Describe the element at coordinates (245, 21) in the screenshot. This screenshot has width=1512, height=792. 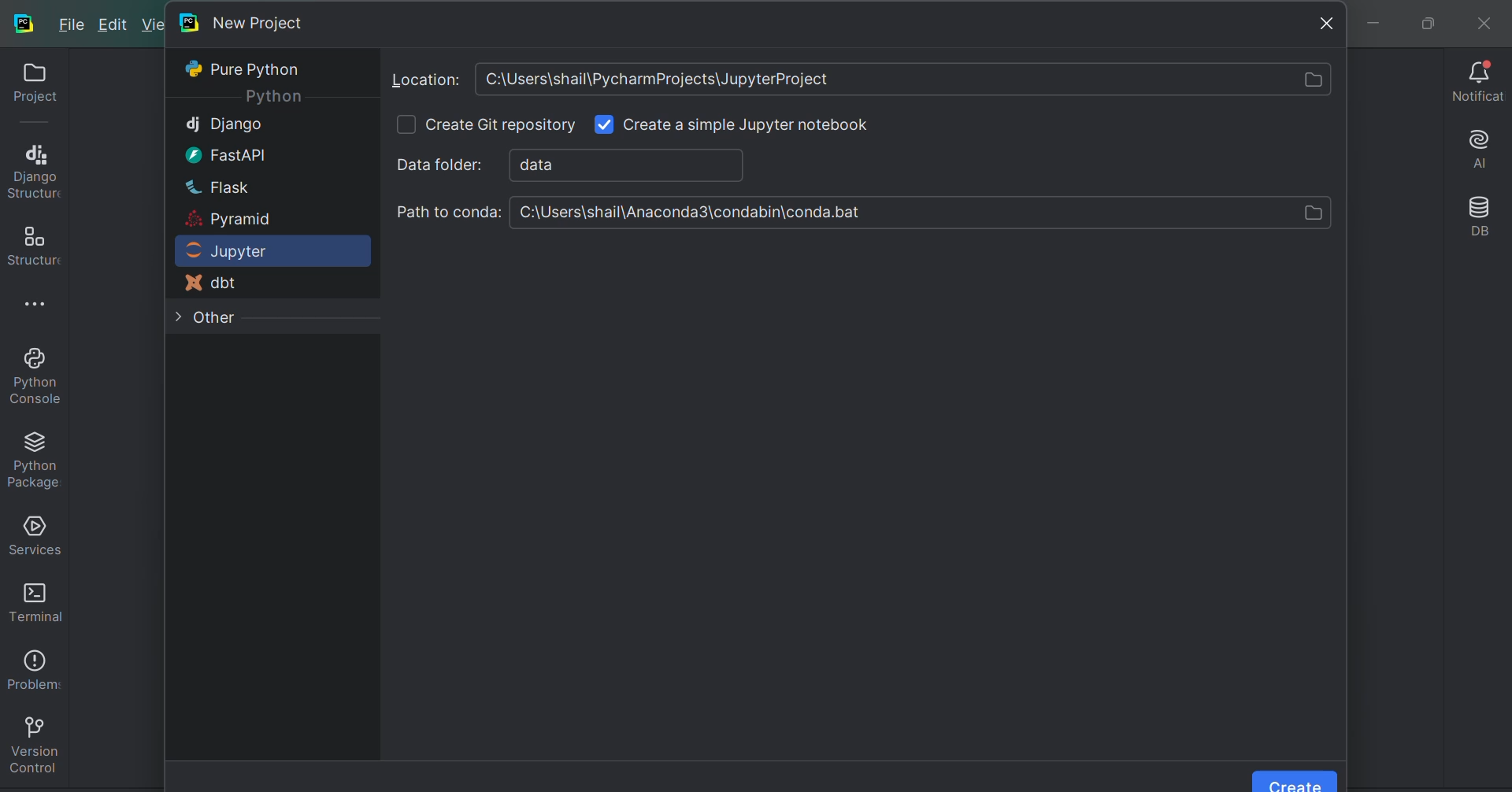
I see `New project` at that location.